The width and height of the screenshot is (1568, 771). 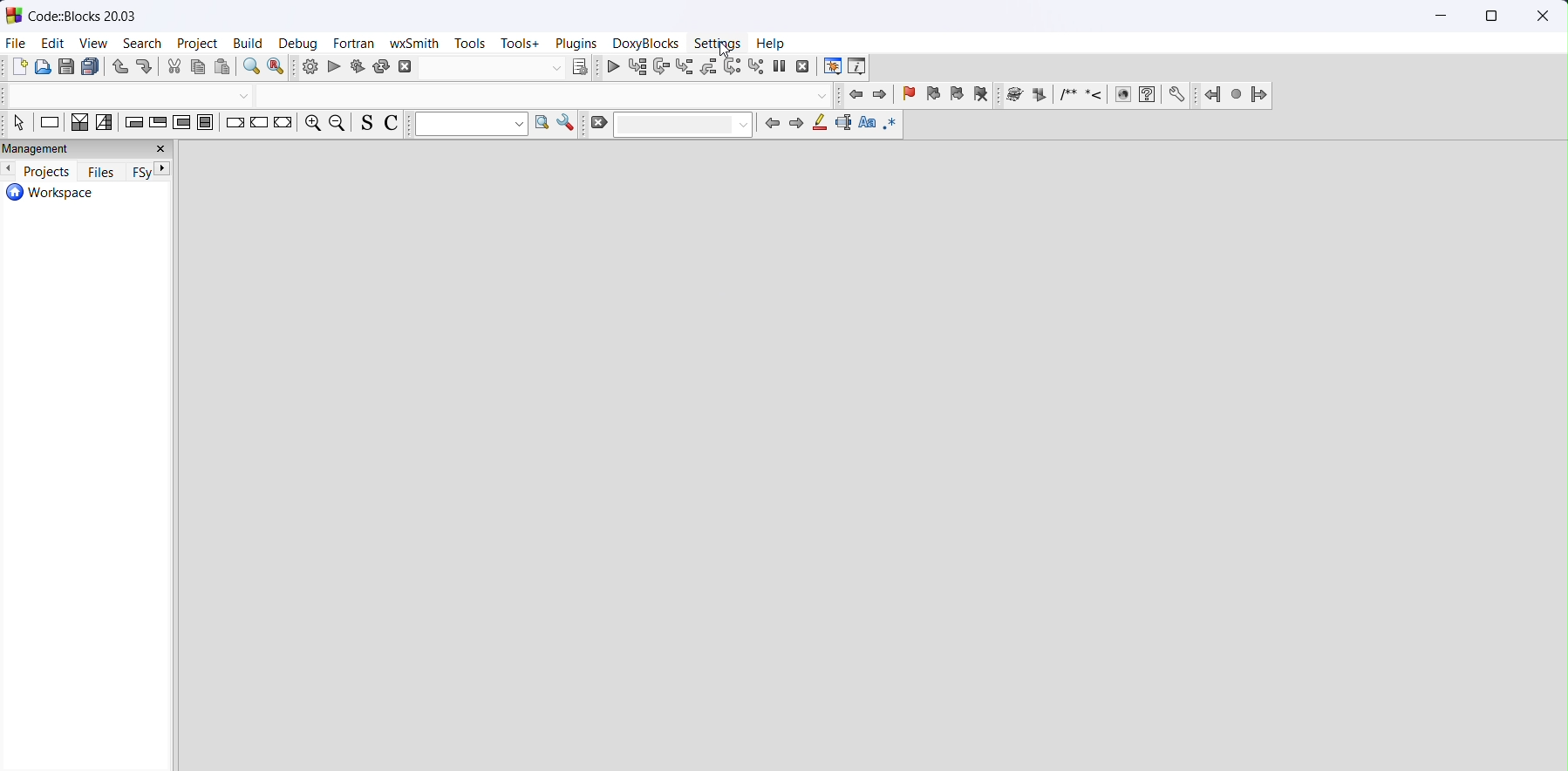 What do you see at coordinates (310, 67) in the screenshot?
I see `build` at bounding box center [310, 67].